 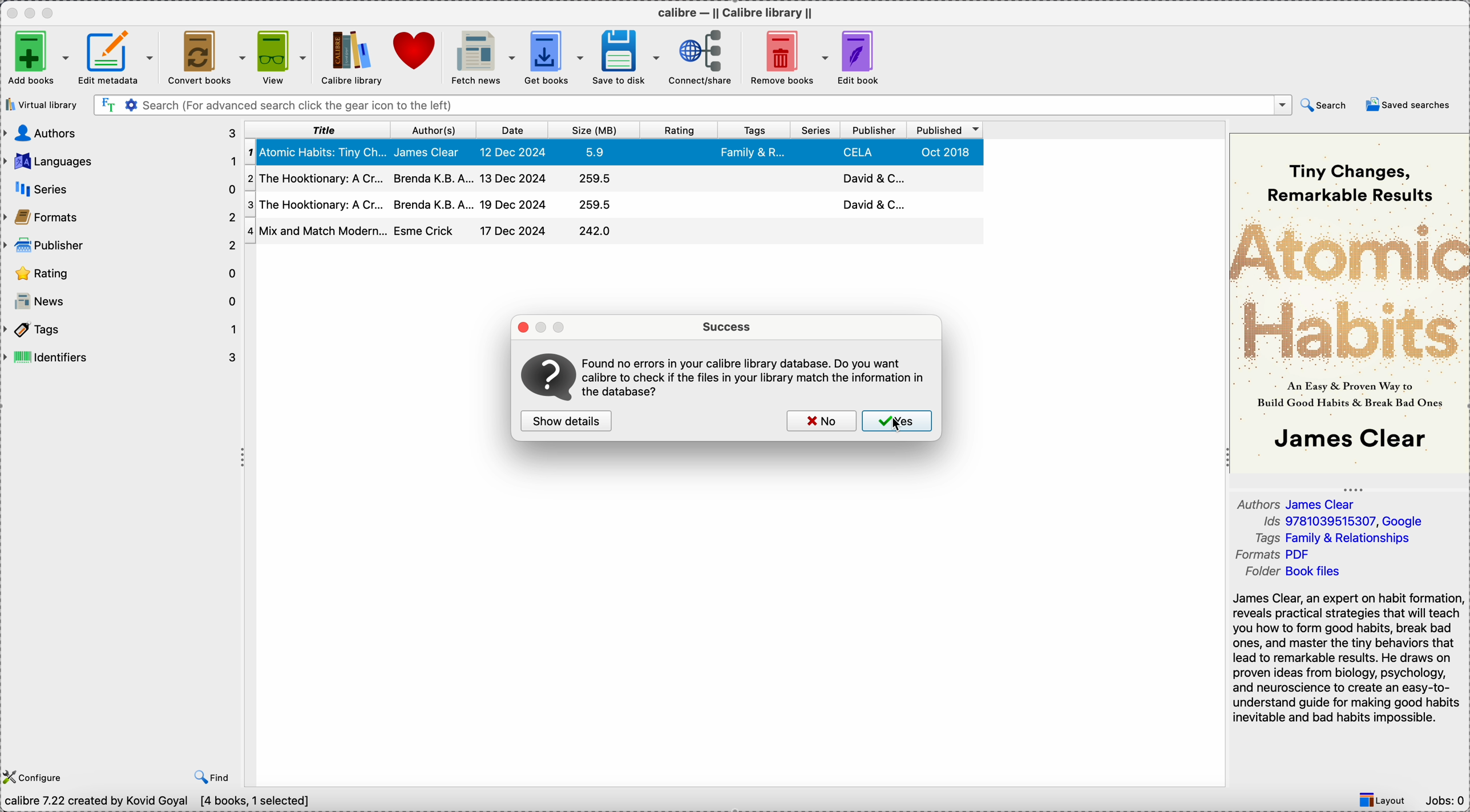 I want to click on donate, so click(x=415, y=55).